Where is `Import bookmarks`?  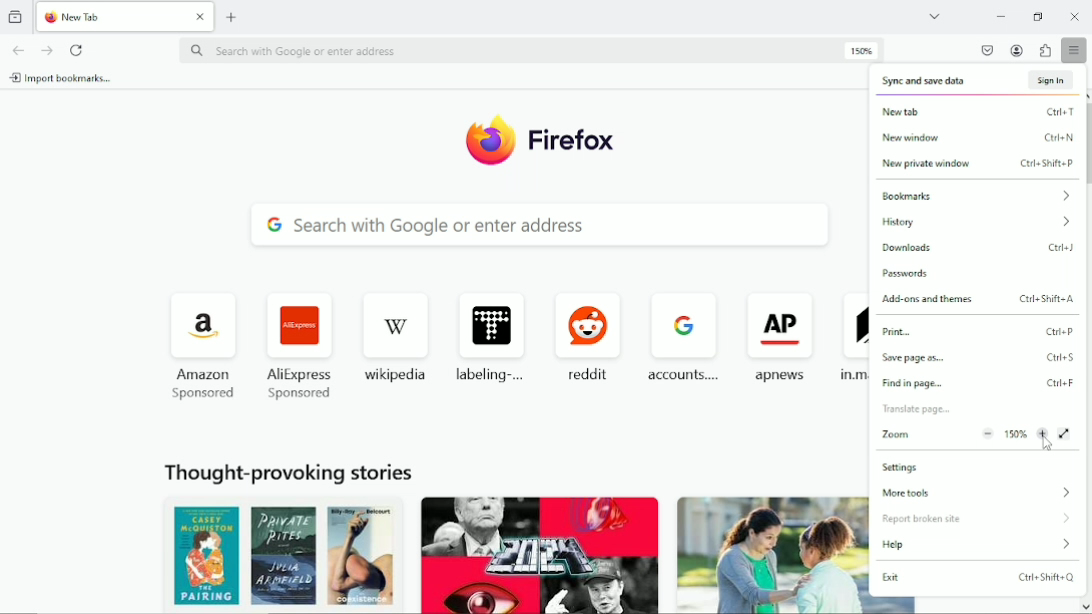
Import bookmarks is located at coordinates (63, 79).